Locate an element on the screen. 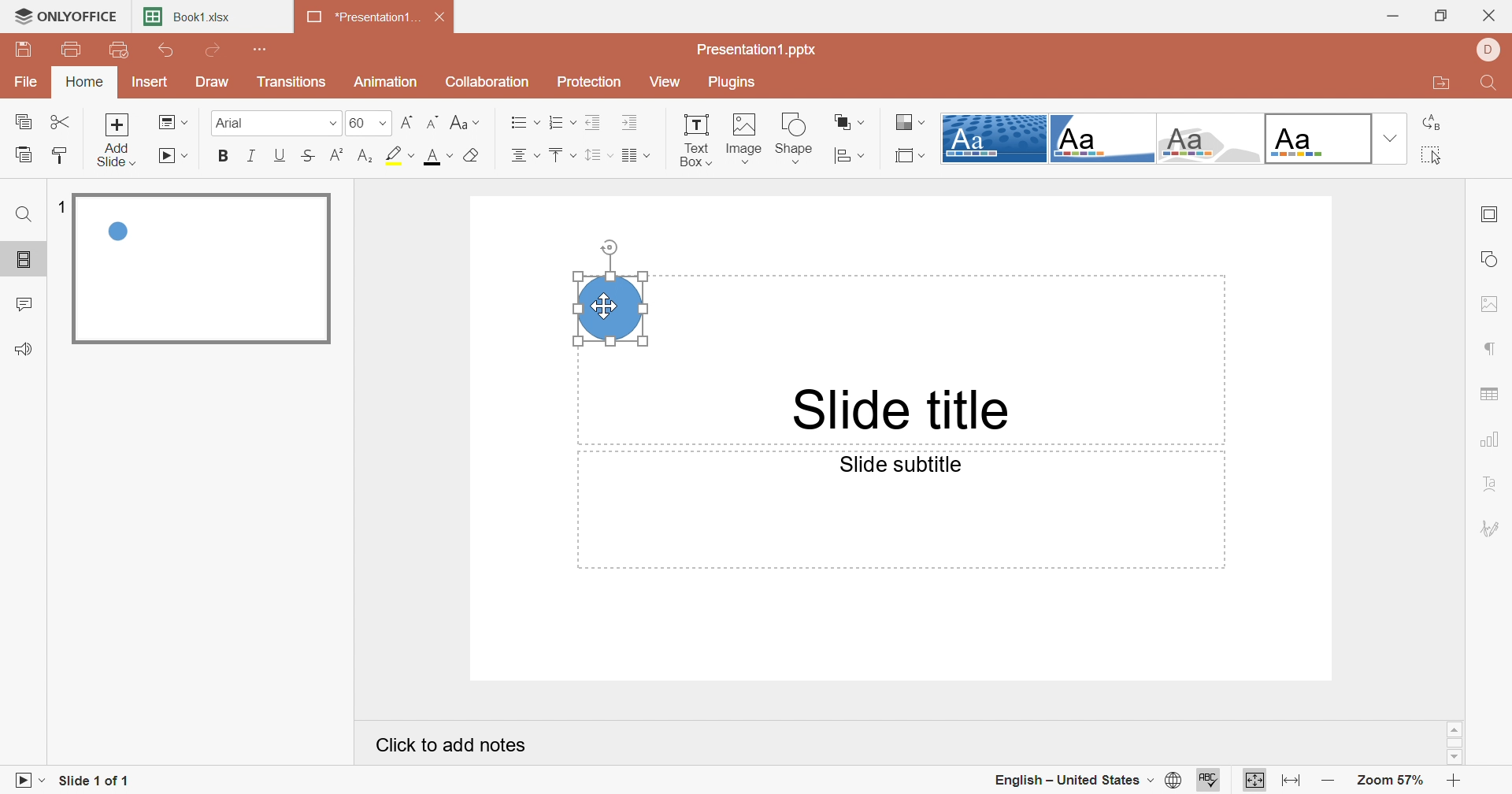  Close is located at coordinates (442, 17).